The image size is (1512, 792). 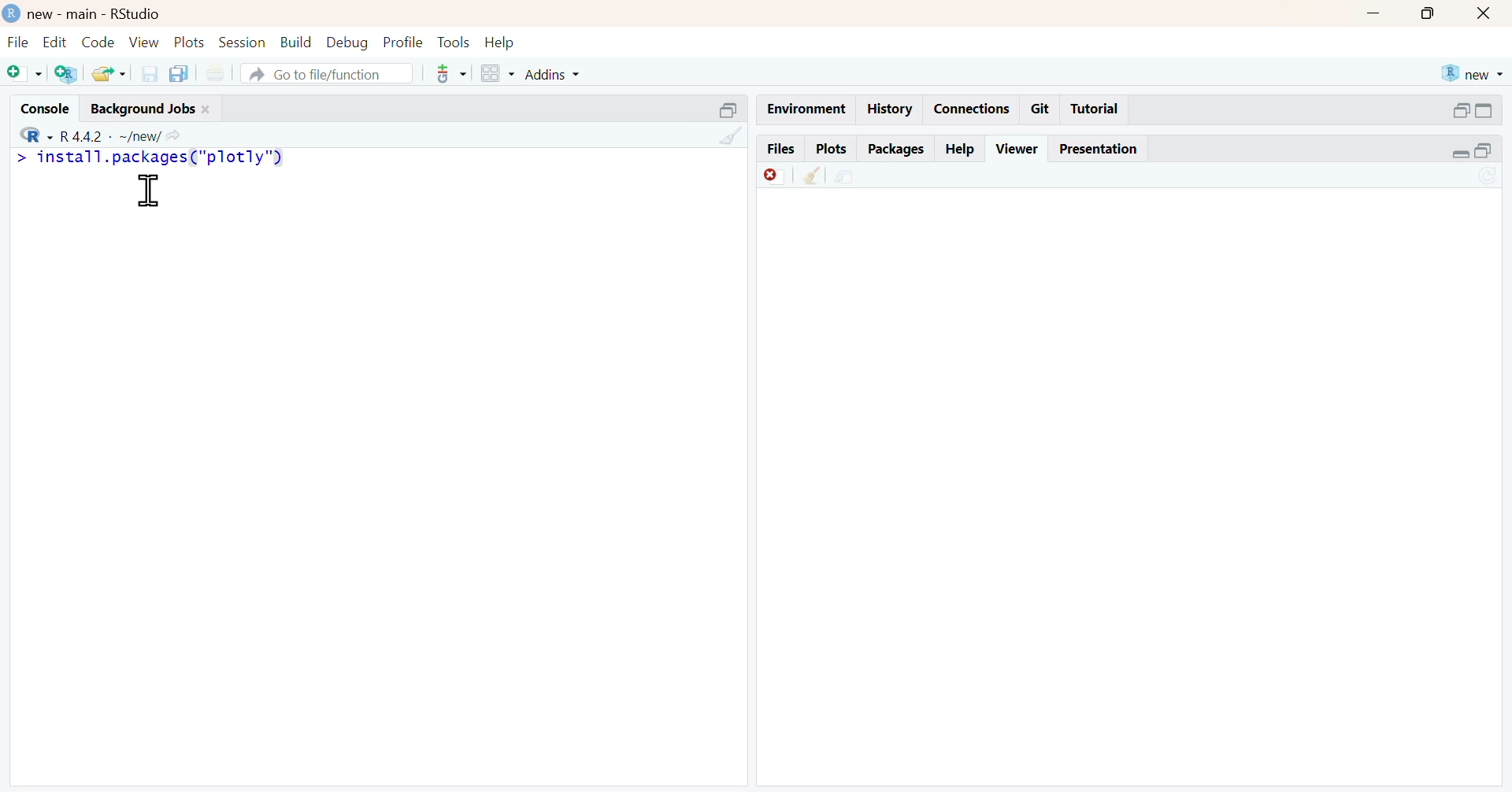 I want to click on maximize, so click(x=1432, y=12).